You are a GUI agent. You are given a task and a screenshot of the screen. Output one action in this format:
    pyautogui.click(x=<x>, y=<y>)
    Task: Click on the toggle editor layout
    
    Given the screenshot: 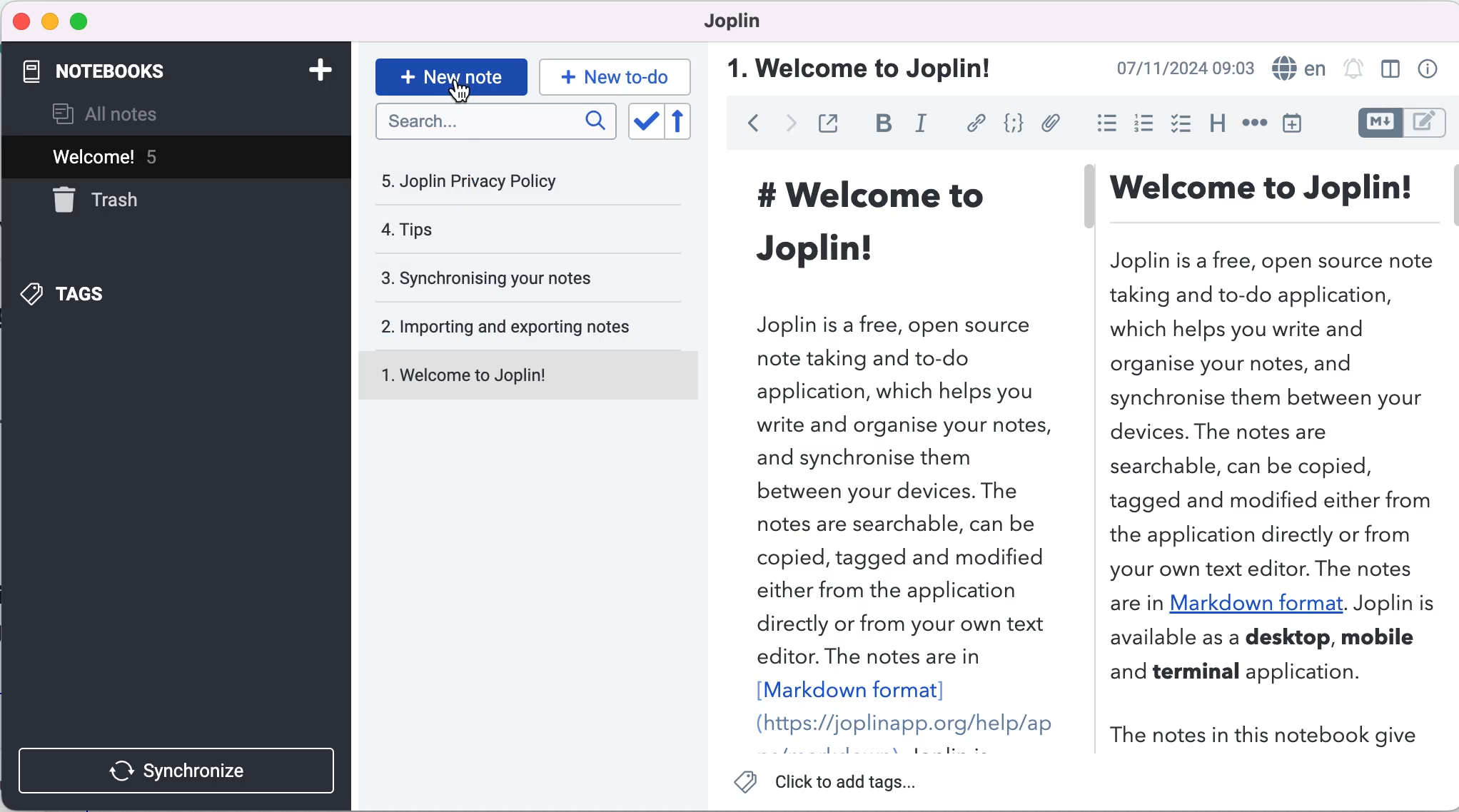 What is the action you would take?
    pyautogui.click(x=1390, y=70)
    